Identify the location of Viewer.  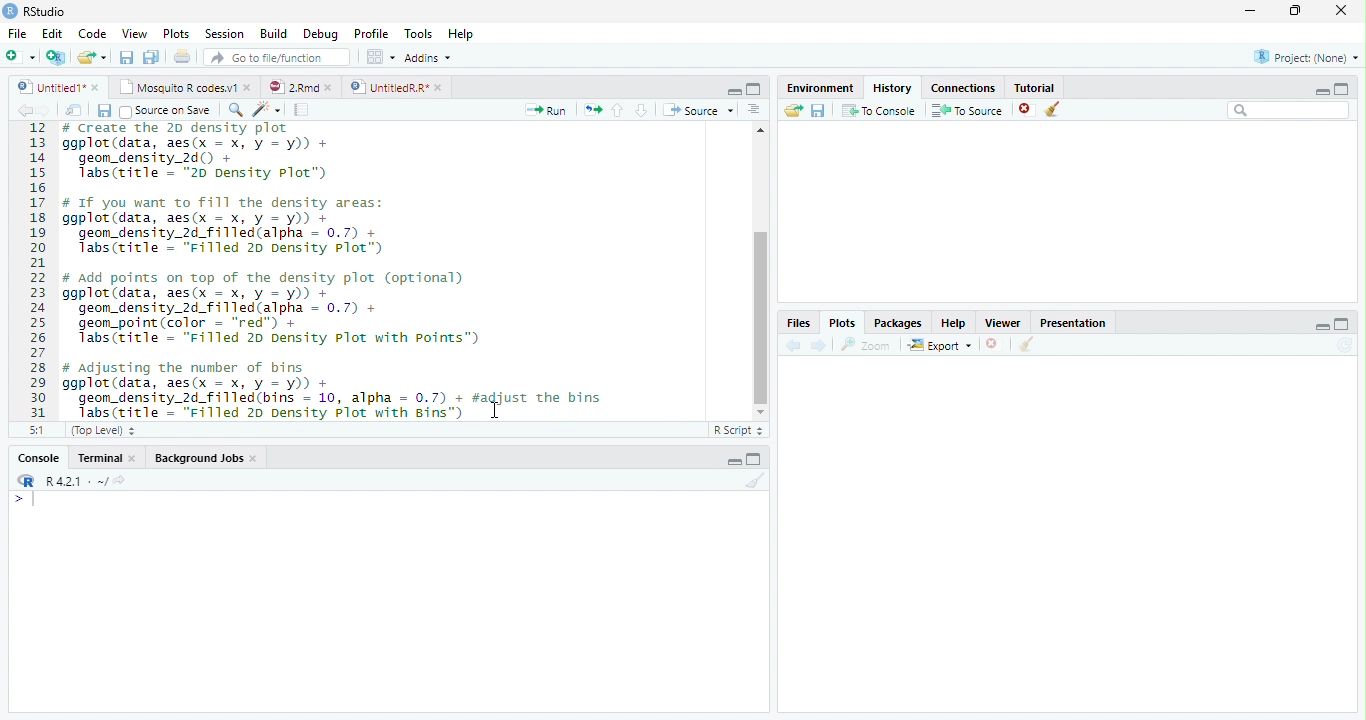
(1001, 322).